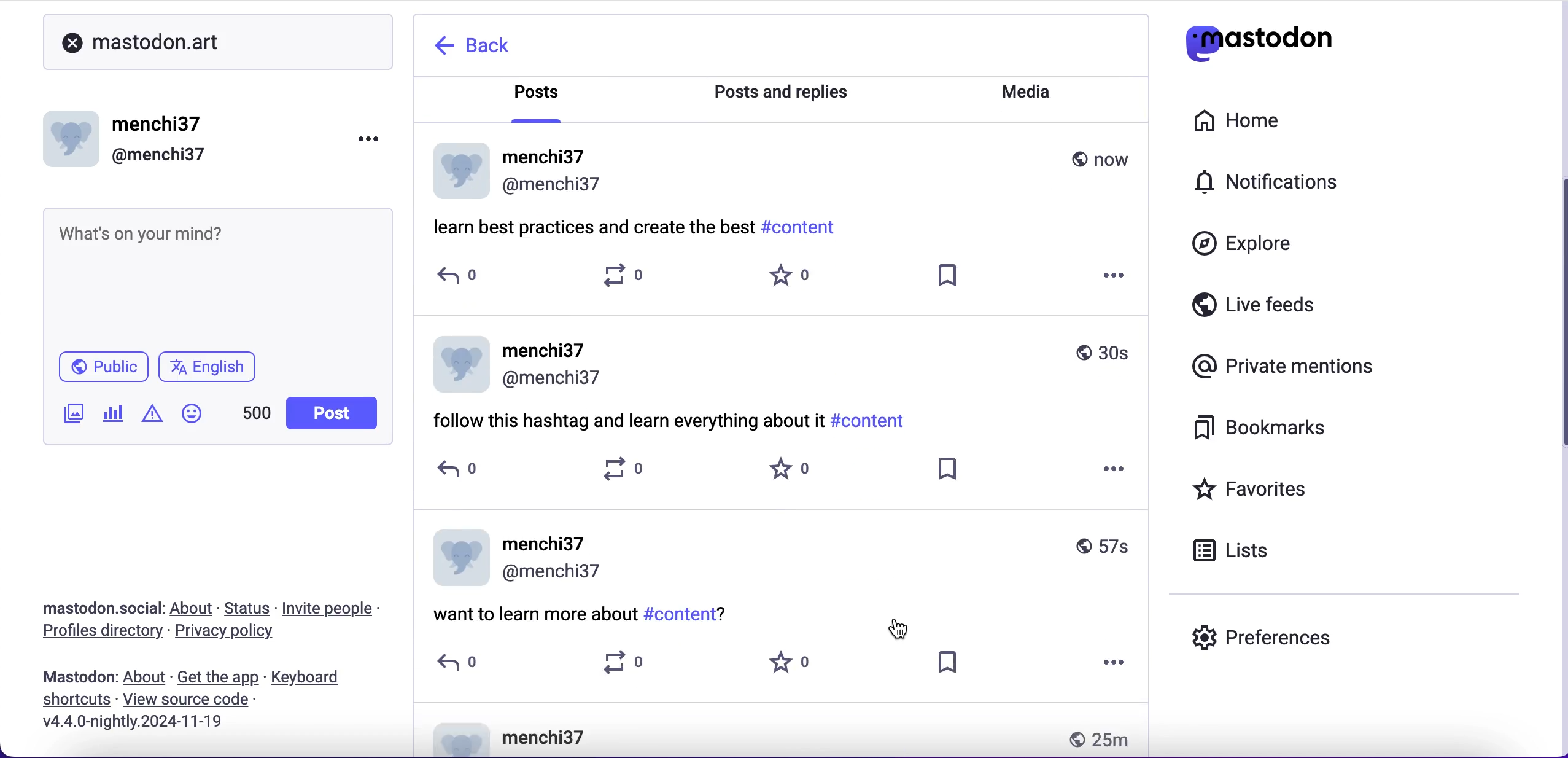  What do you see at coordinates (99, 365) in the screenshot?
I see `public` at bounding box center [99, 365].